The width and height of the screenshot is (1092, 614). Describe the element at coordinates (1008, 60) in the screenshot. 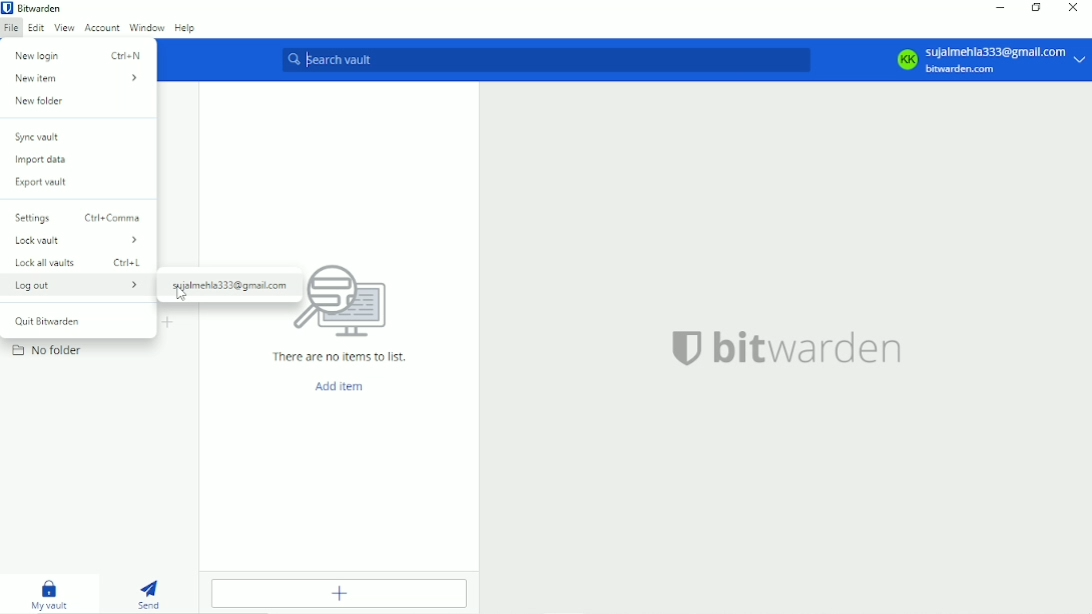

I see `sujaimehla333@gmail.com bitwarden.com` at that location.